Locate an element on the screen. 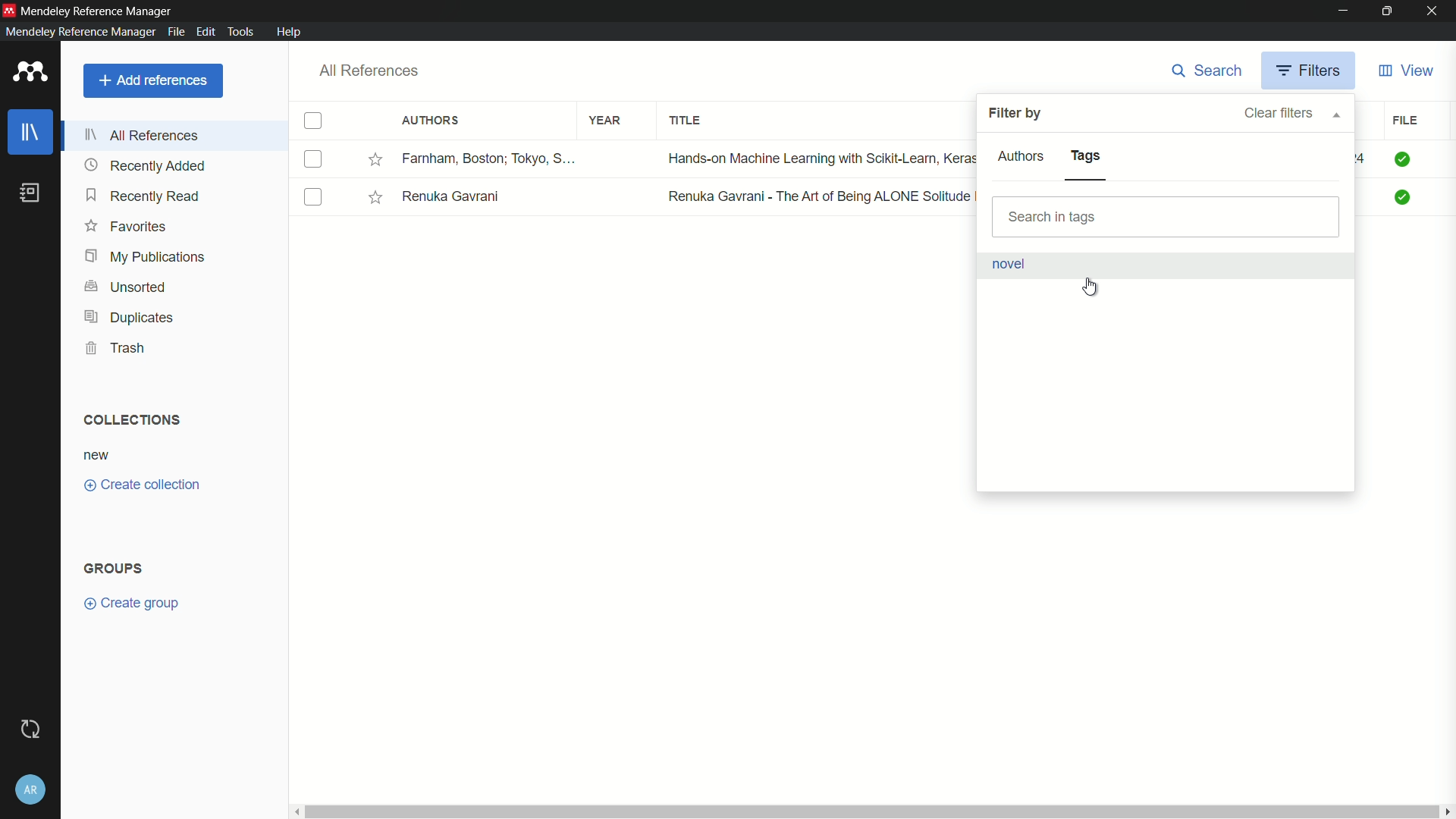  create group is located at coordinates (130, 603).